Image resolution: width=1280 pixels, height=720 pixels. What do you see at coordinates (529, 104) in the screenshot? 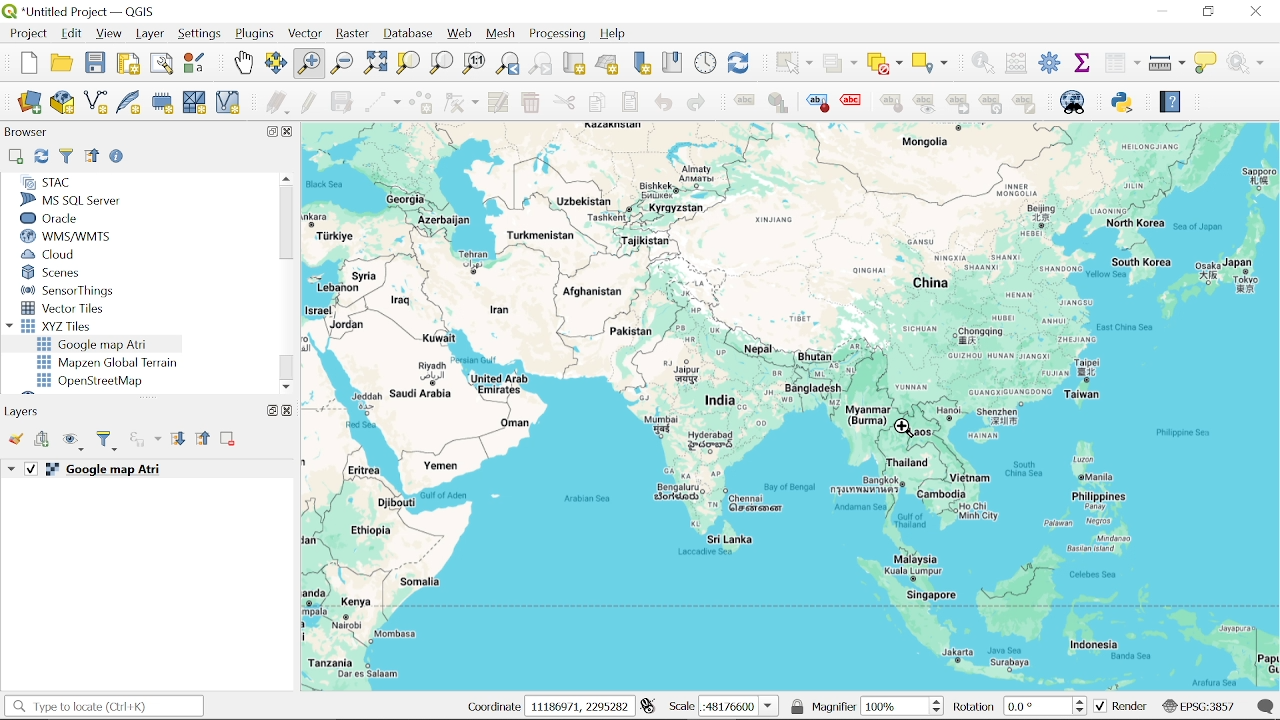
I see `Delete selected` at bounding box center [529, 104].